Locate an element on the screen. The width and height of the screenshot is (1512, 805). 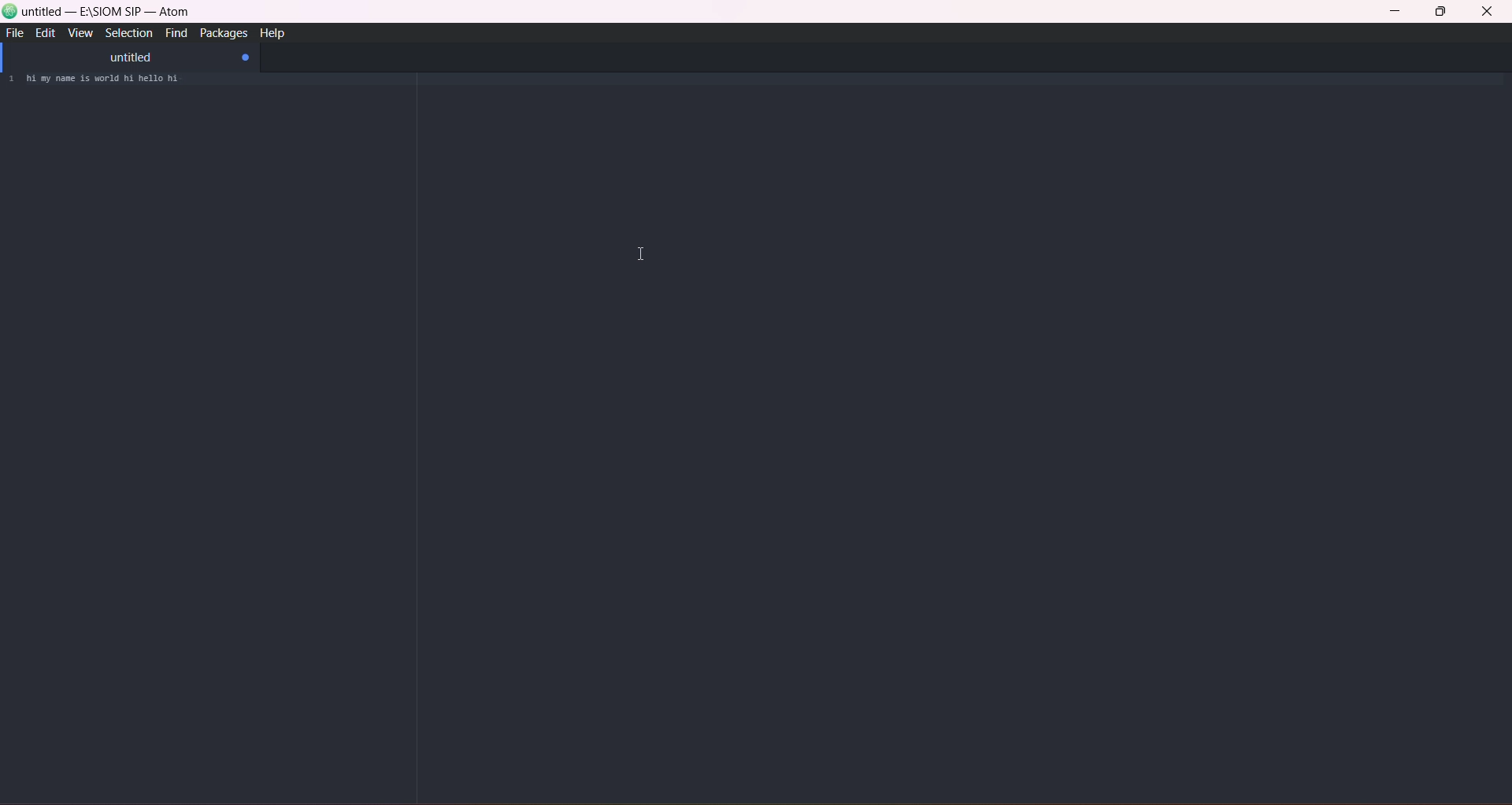
view is located at coordinates (80, 34).